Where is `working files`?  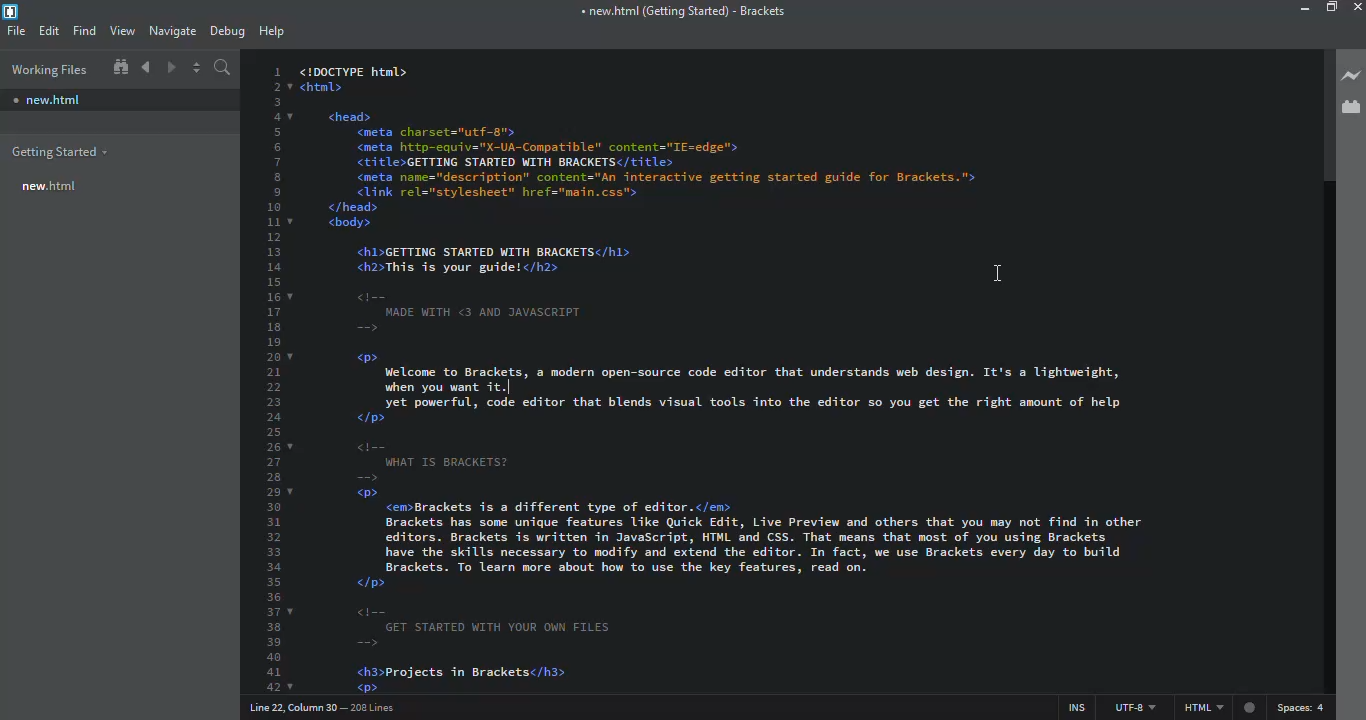 working files is located at coordinates (47, 69).